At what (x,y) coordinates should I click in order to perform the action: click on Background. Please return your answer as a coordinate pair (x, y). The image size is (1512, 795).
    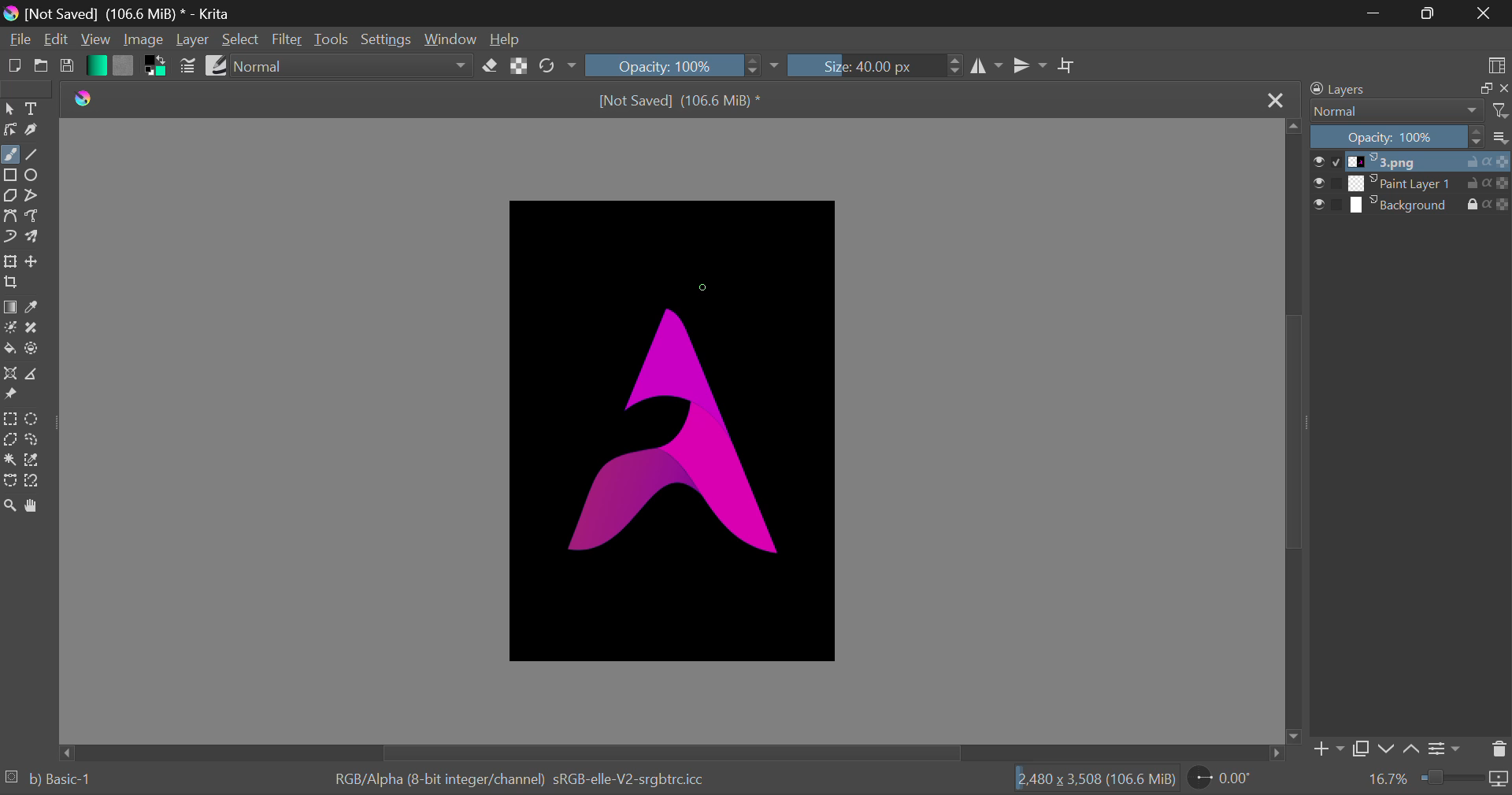
    Looking at the image, I should click on (1411, 207).